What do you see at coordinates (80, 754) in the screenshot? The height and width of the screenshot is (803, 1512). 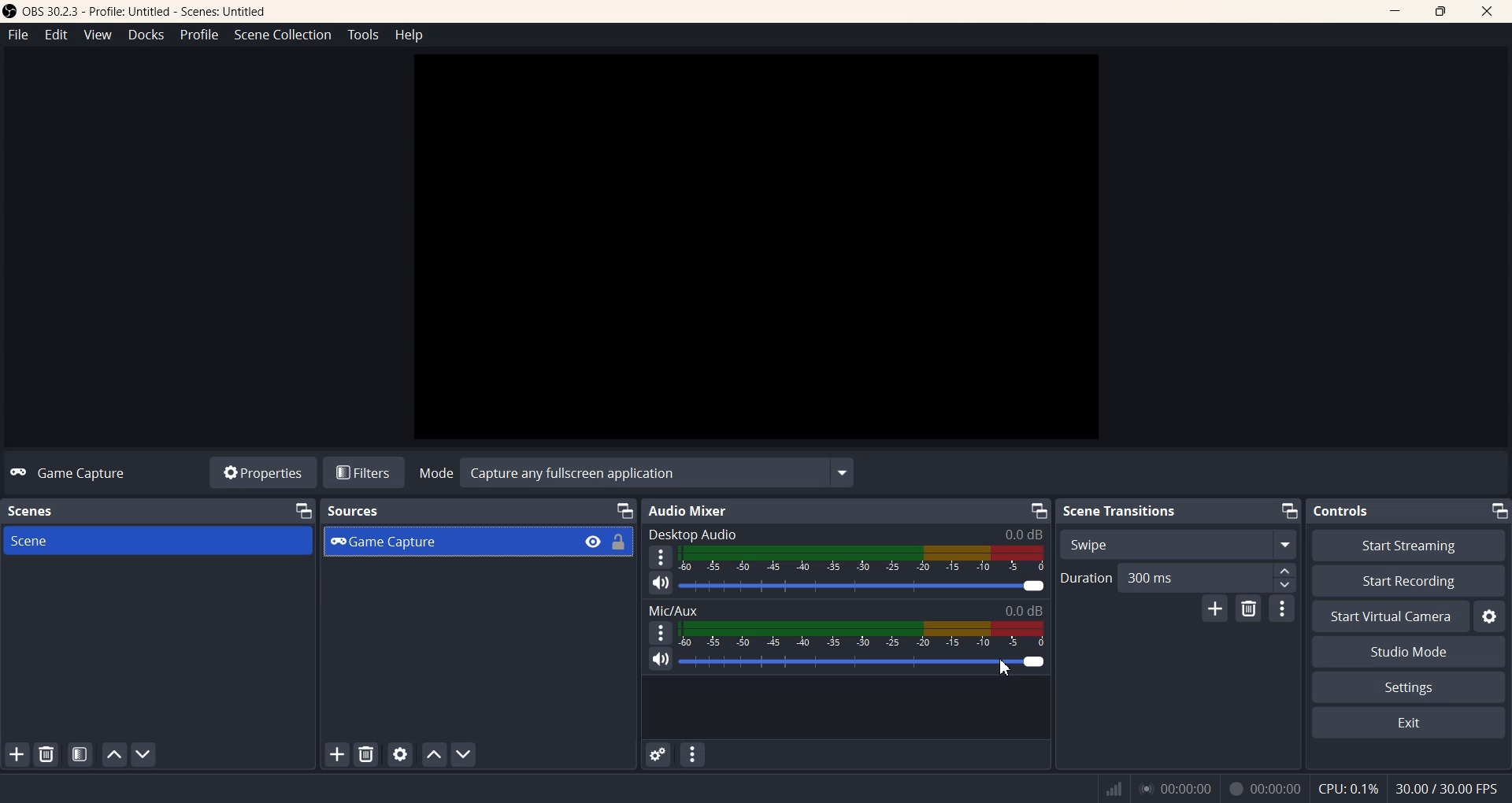 I see `Open Scene Filter` at bounding box center [80, 754].